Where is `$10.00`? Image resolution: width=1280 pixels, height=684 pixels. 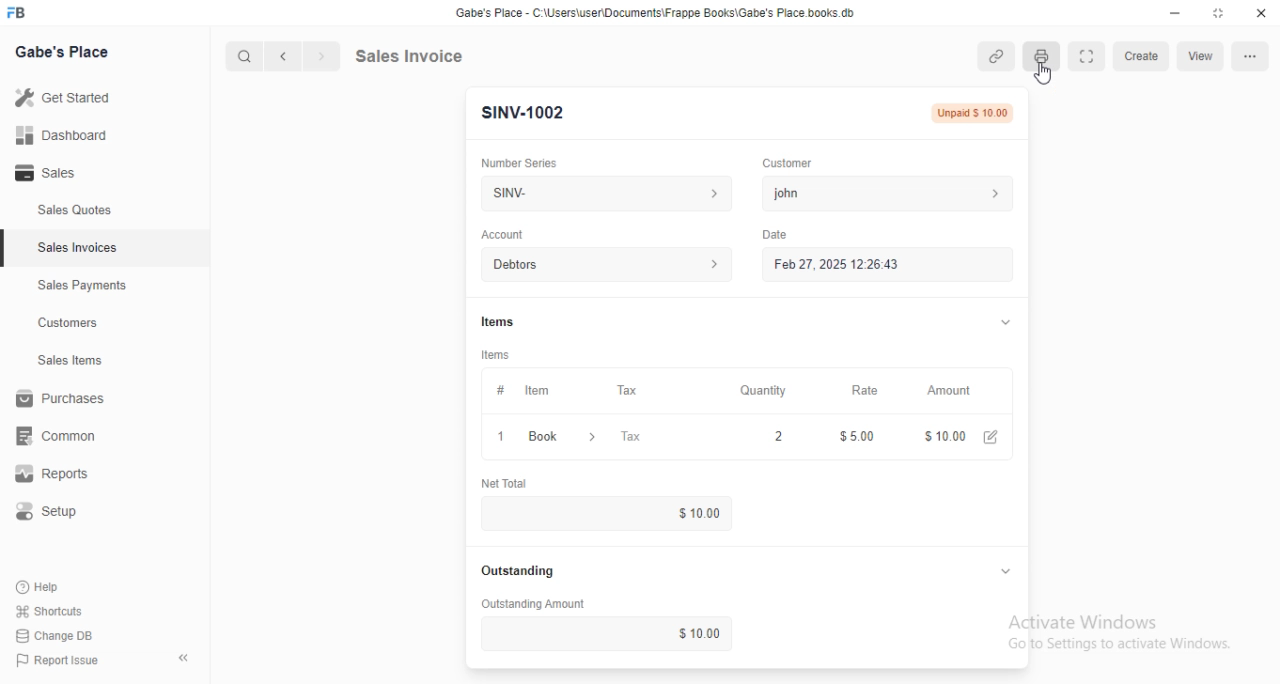 $10.00 is located at coordinates (608, 513).